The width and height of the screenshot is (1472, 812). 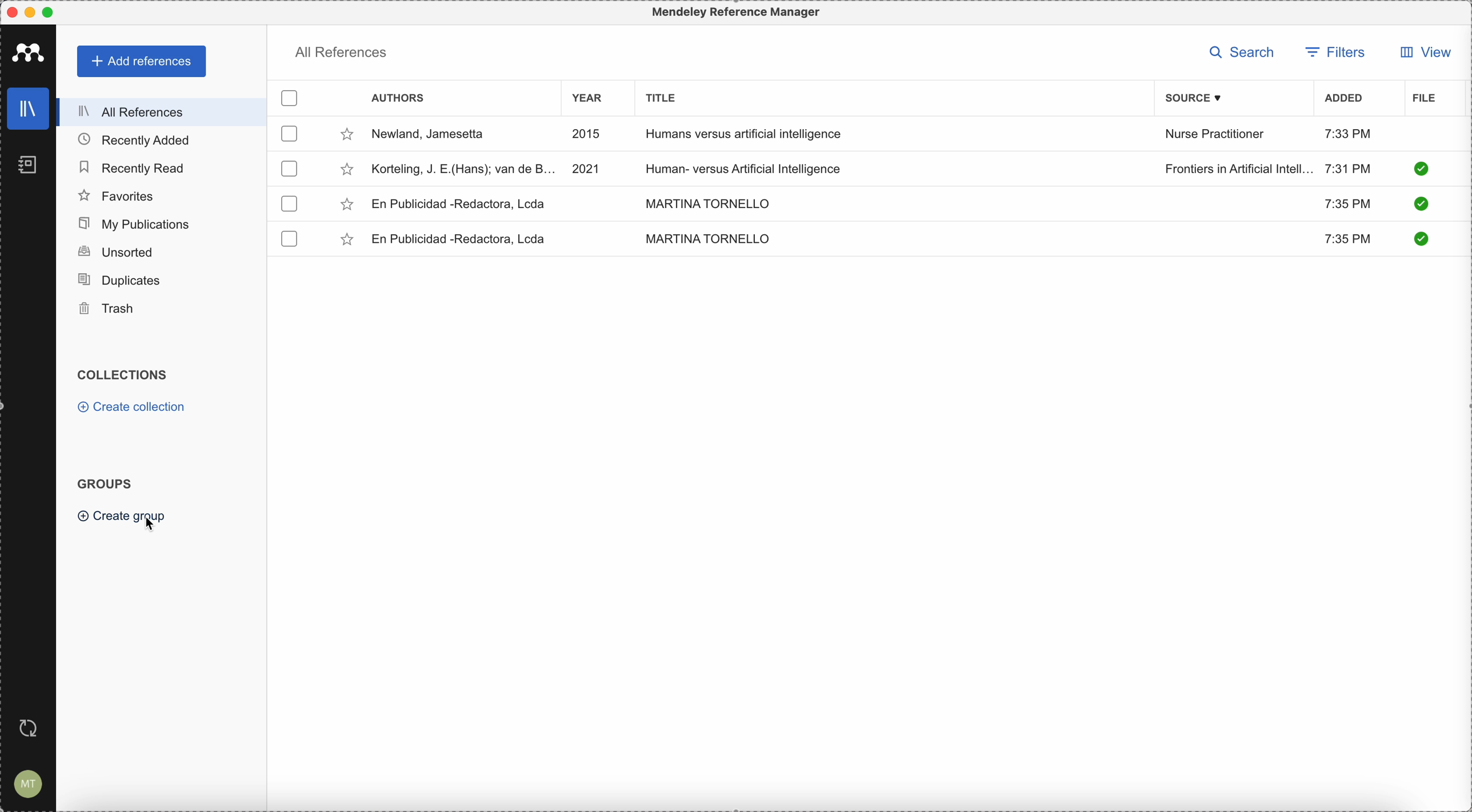 I want to click on Mendeley icon, so click(x=29, y=50).